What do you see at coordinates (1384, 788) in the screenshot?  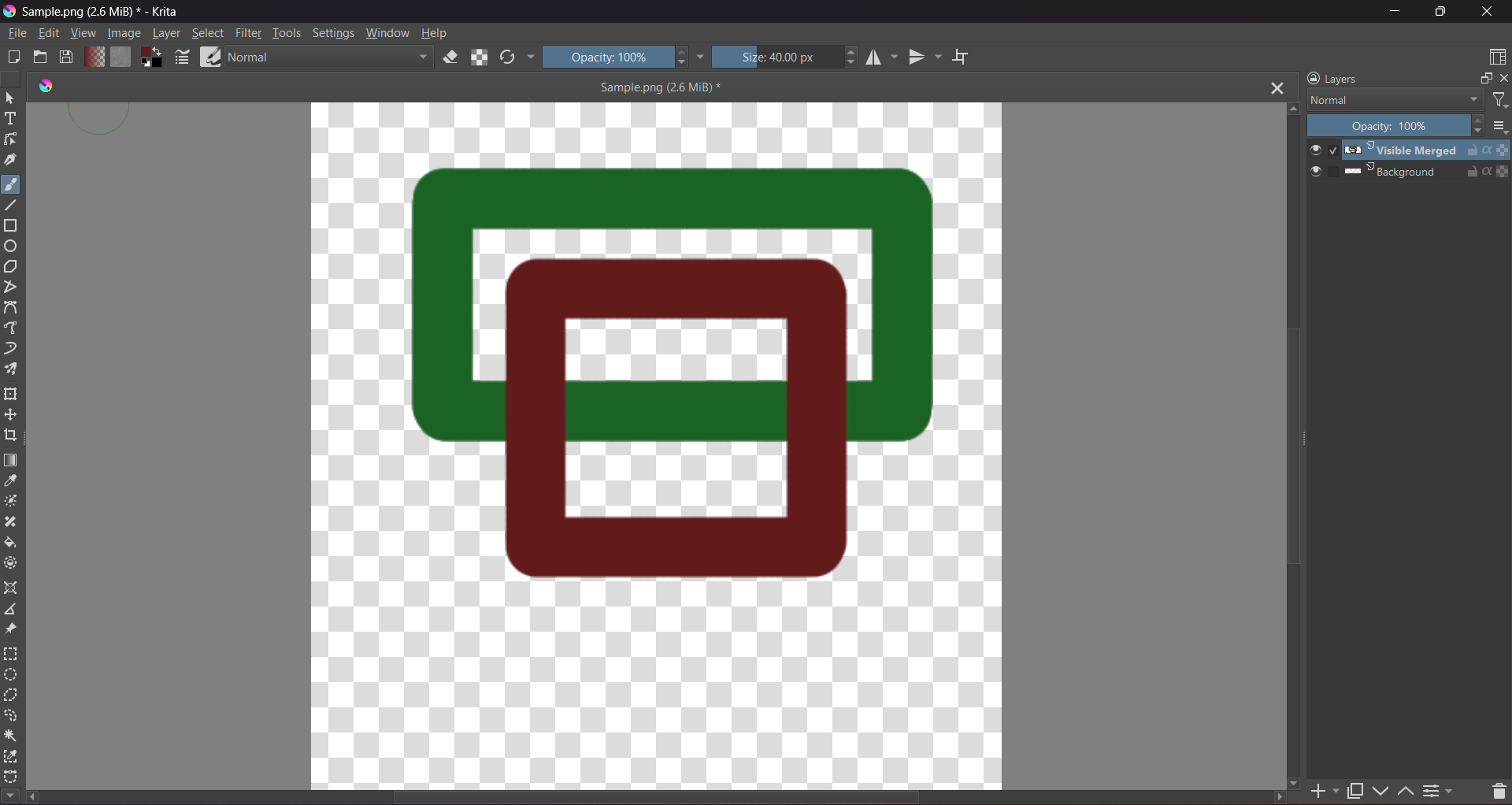 I see `Mask Down` at bounding box center [1384, 788].